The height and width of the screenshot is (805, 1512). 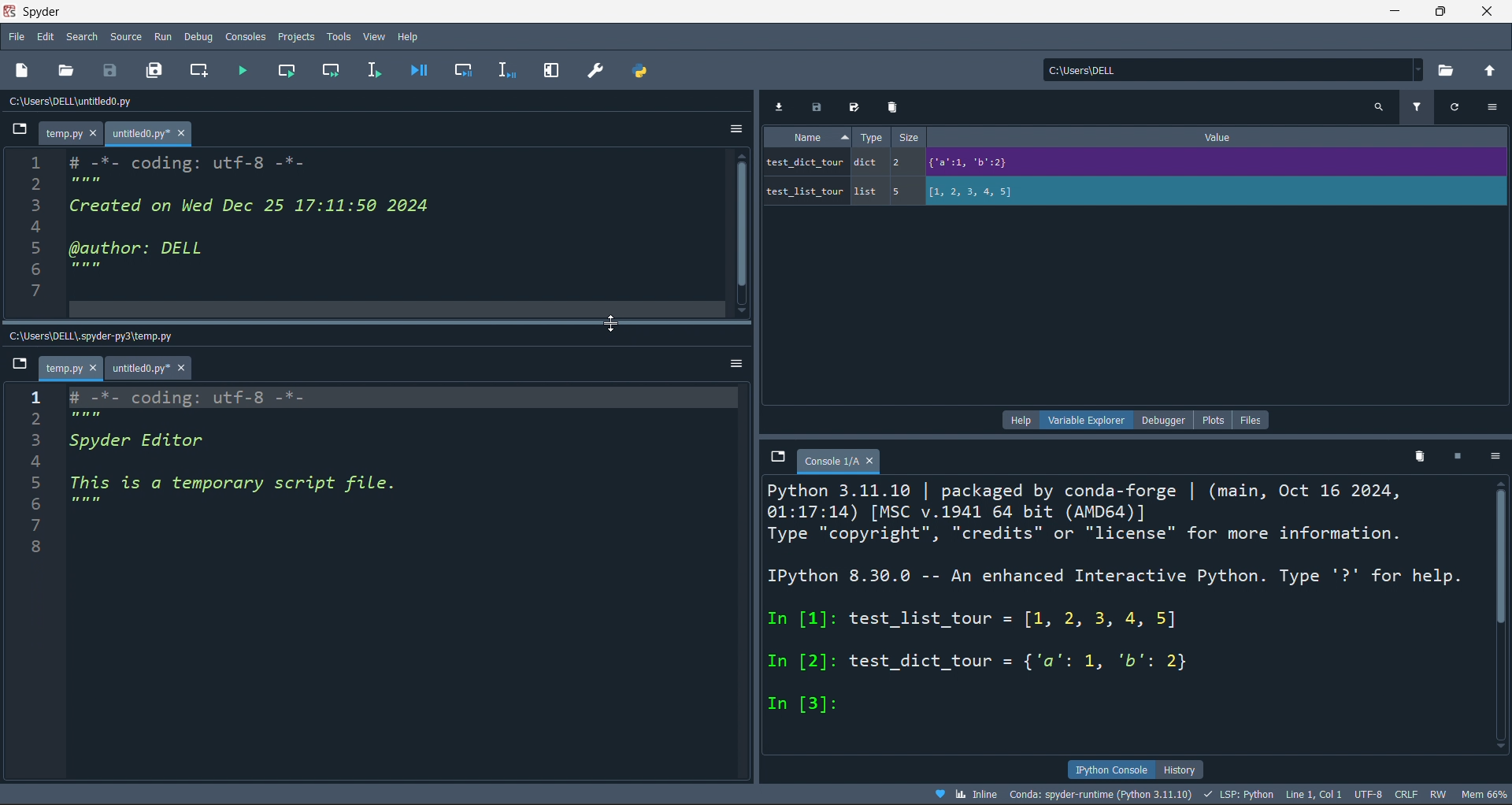 What do you see at coordinates (1243, 793) in the screenshot?
I see `LSP: Python` at bounding box center [1243, 793].